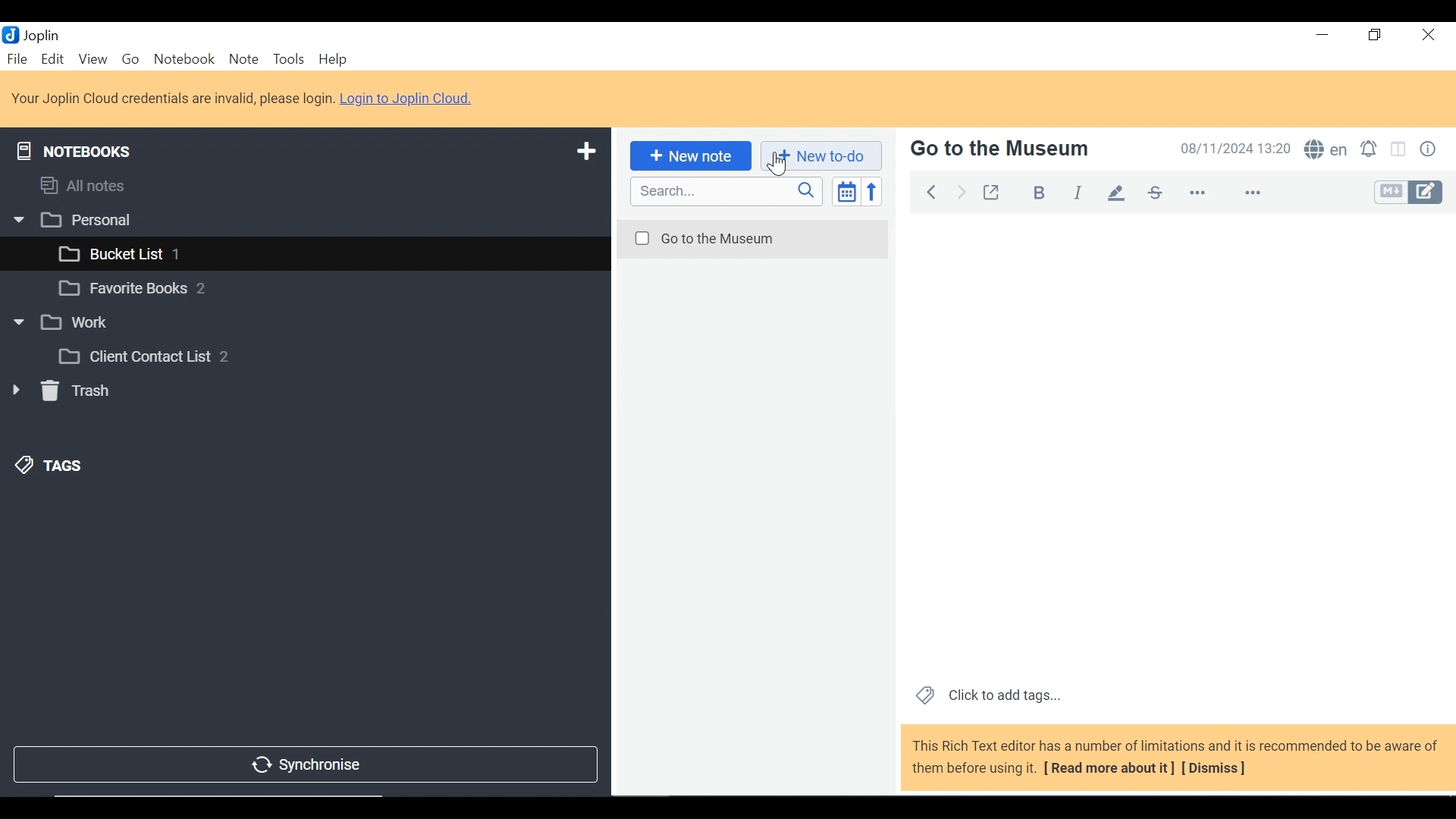  I want to click on Italics, so click(1078, 193).